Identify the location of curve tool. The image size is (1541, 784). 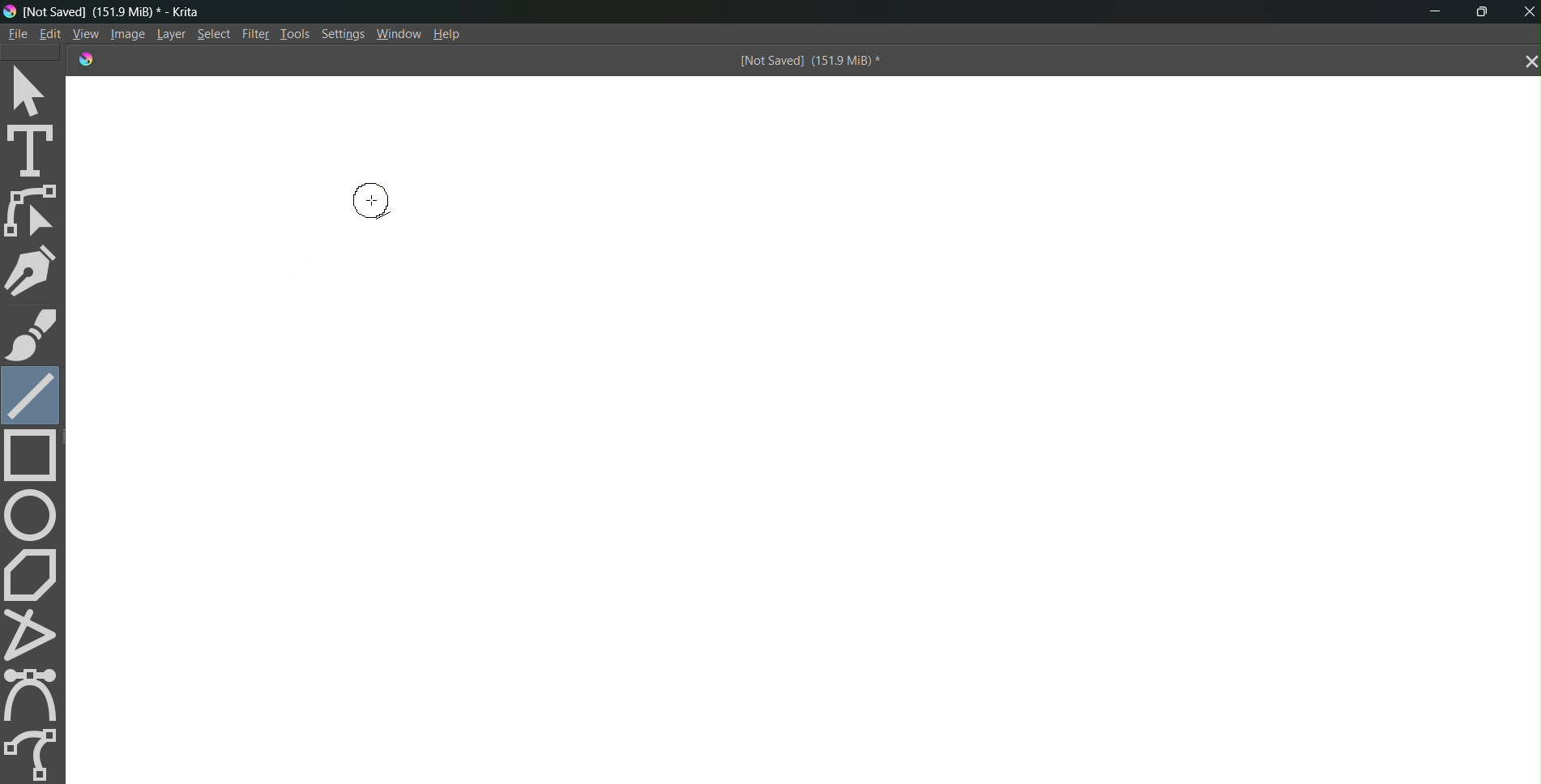
(36, 694).